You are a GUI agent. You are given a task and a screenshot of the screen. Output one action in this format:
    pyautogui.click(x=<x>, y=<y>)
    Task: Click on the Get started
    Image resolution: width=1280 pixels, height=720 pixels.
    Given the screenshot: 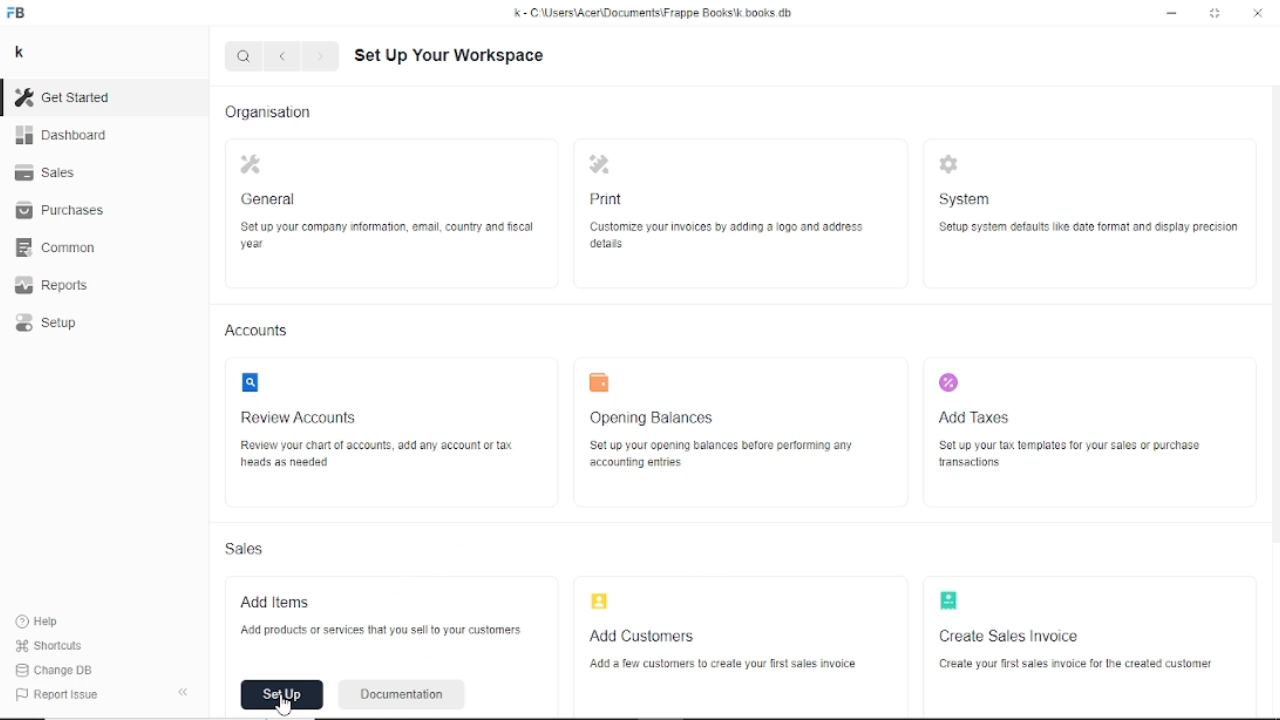 What is the action you would take?
    pyautogui.click(x=71, y=97)
    